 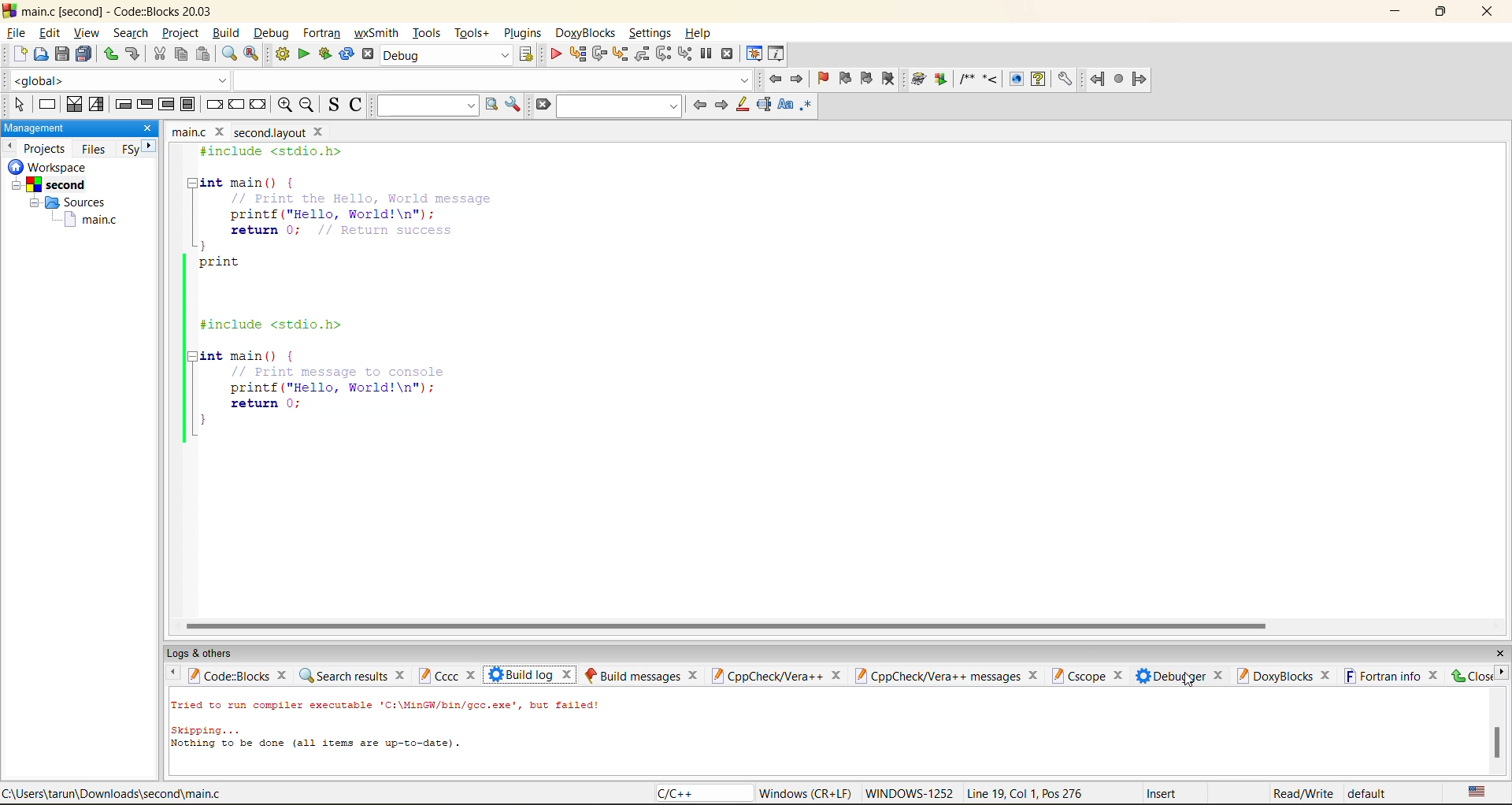 What do you see at coordinates (203, 653) in the screenshot?
I see `logs and others` at bounding box center [203, 653].